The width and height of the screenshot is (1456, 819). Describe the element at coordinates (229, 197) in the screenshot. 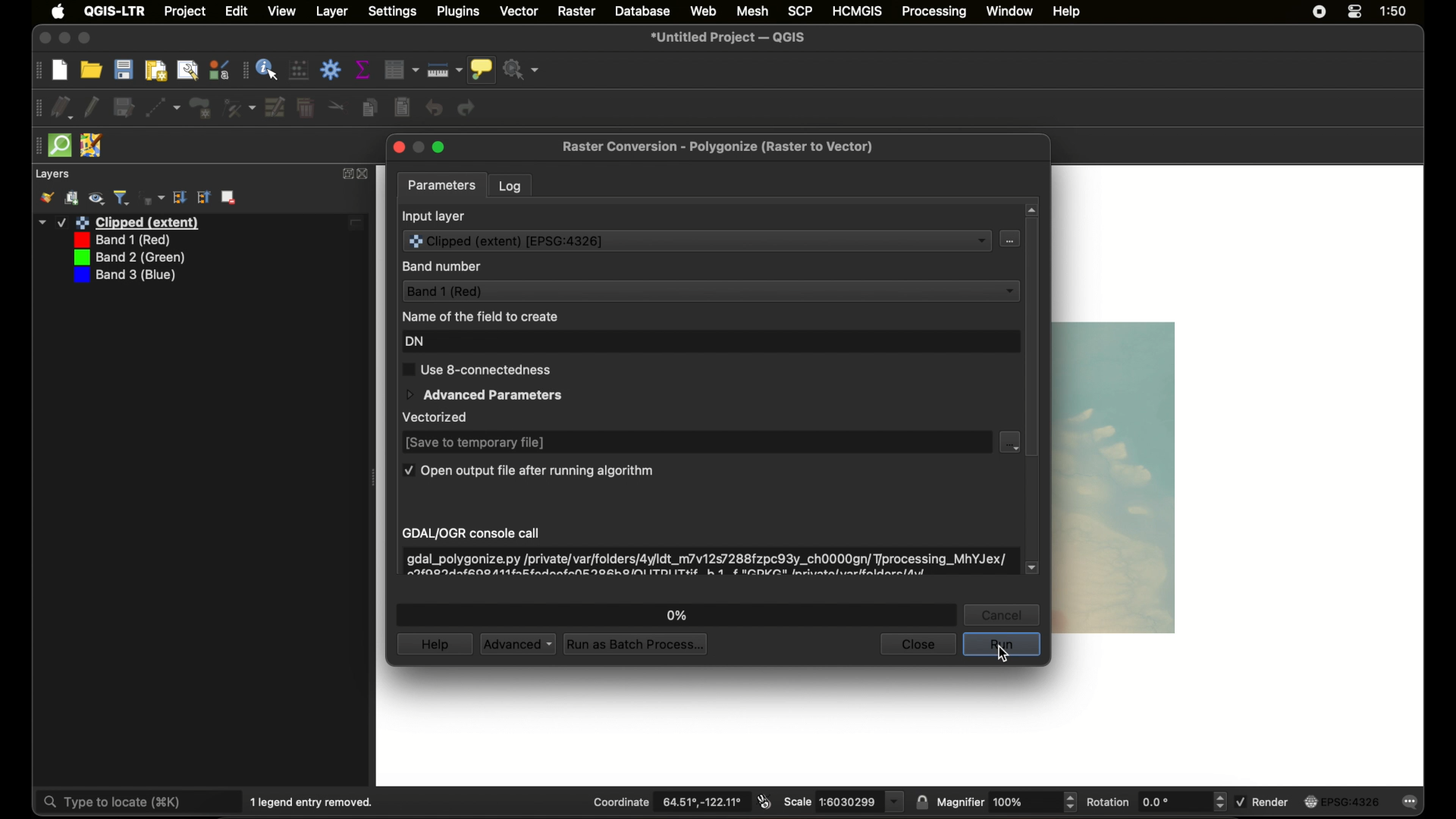

I see `remove layer` at that location.